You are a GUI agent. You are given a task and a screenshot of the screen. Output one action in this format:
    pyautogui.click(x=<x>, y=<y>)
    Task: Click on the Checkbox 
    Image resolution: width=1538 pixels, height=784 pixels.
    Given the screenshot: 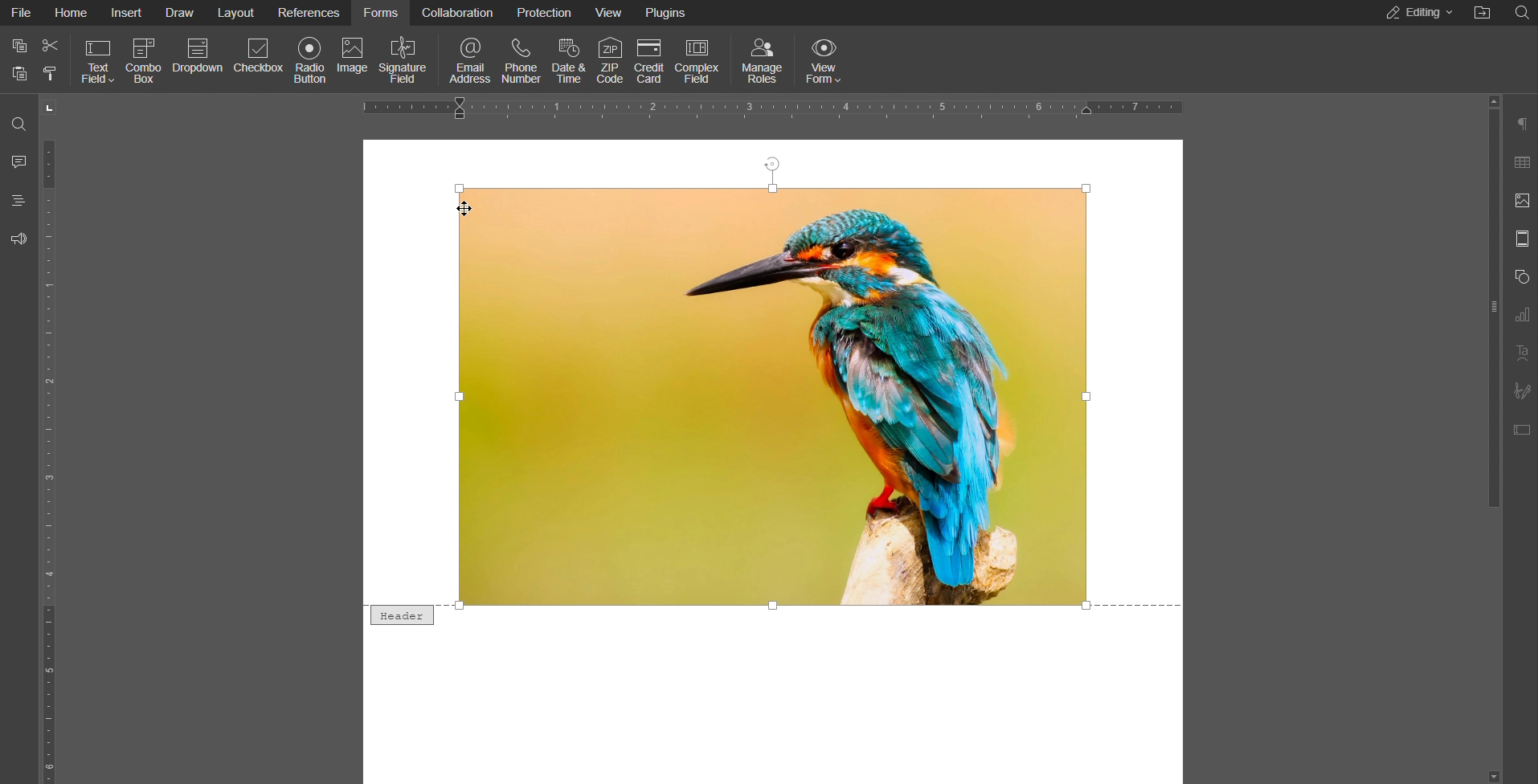 What is the action you would take?
    pyautogui.click(x=258, y=59)
    